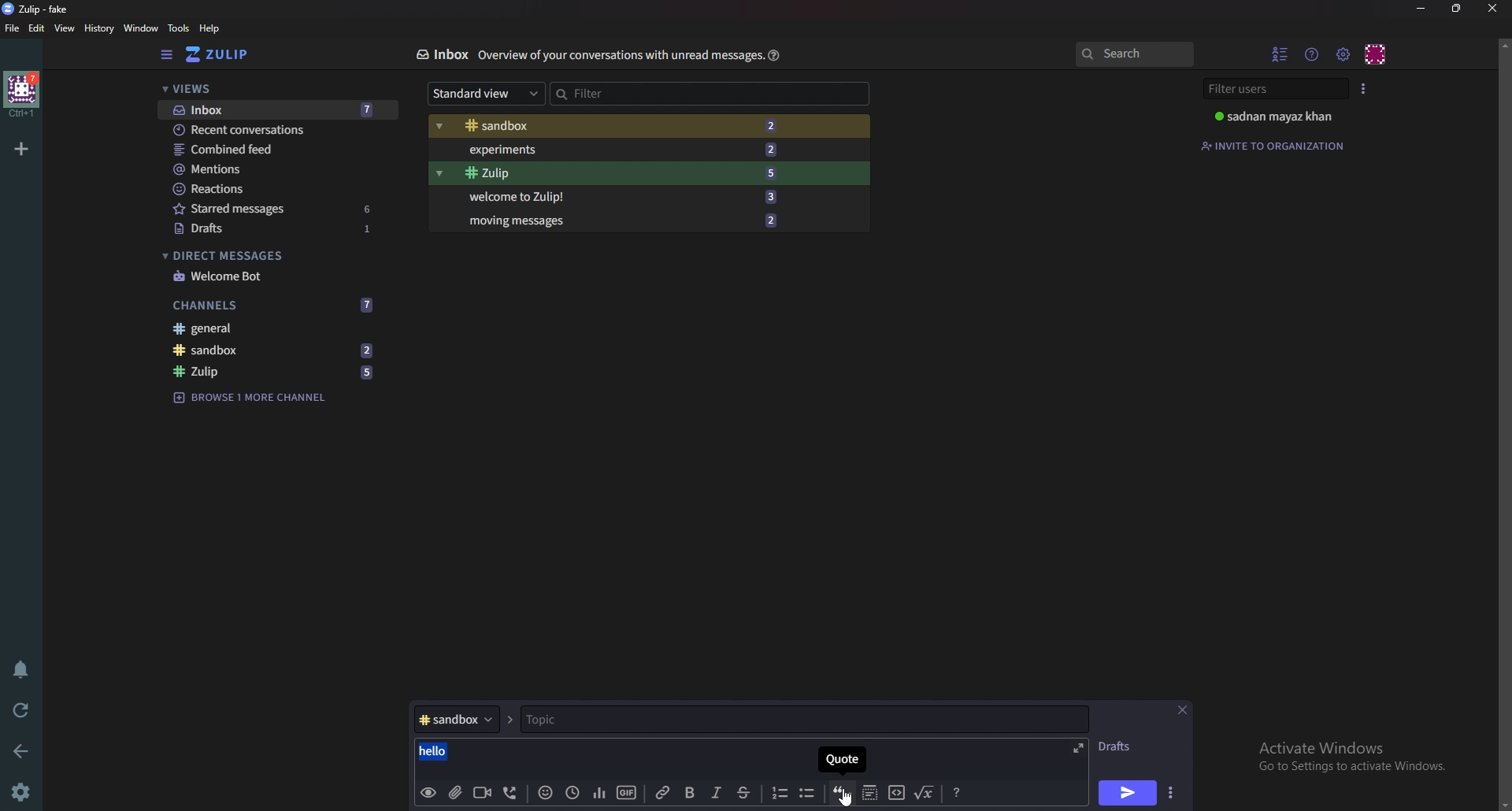 The height and width of the screenshot is (811, 1512). Describe the element at coordinates (25, 749) in the screenshot. I see `back` at that location.